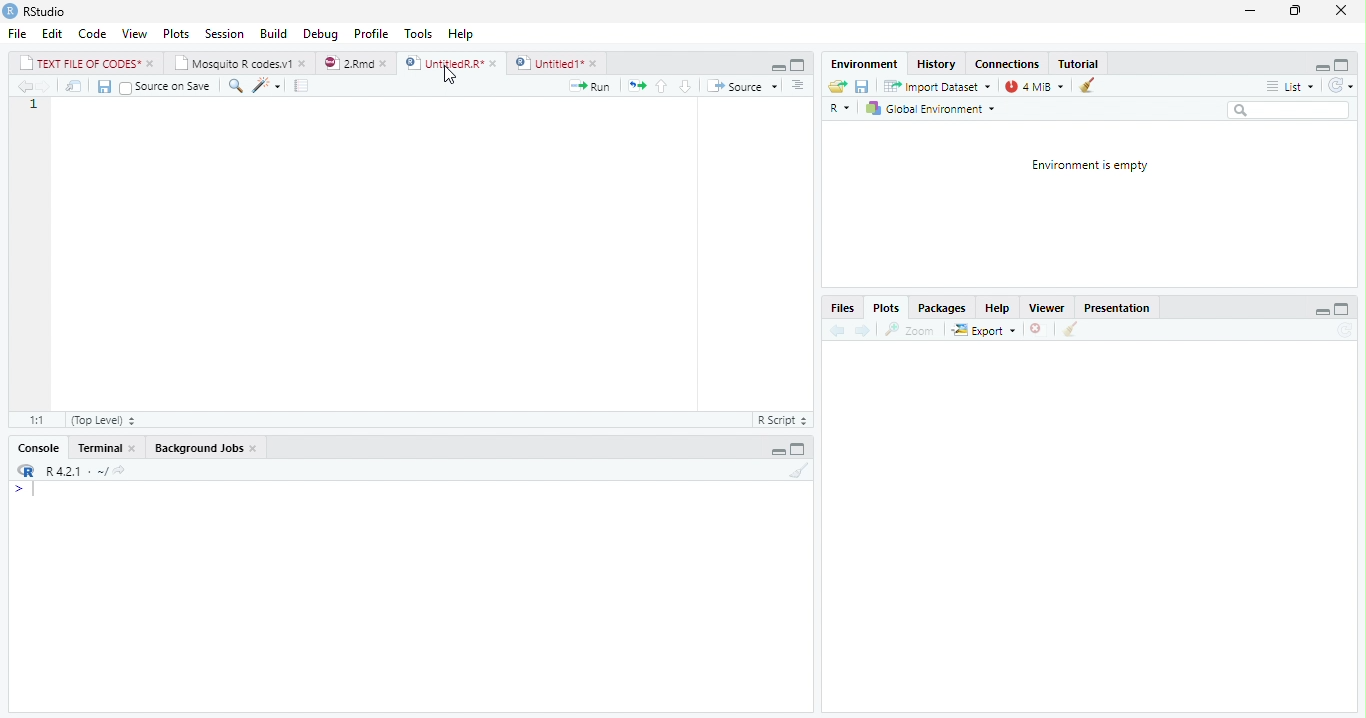 Image resolution: width=1366 pixels, height=718 pixels. What do you see at coordinates (26, 492) in the screenshot?
I see `typing cursor` at bounding box center [26, 492].